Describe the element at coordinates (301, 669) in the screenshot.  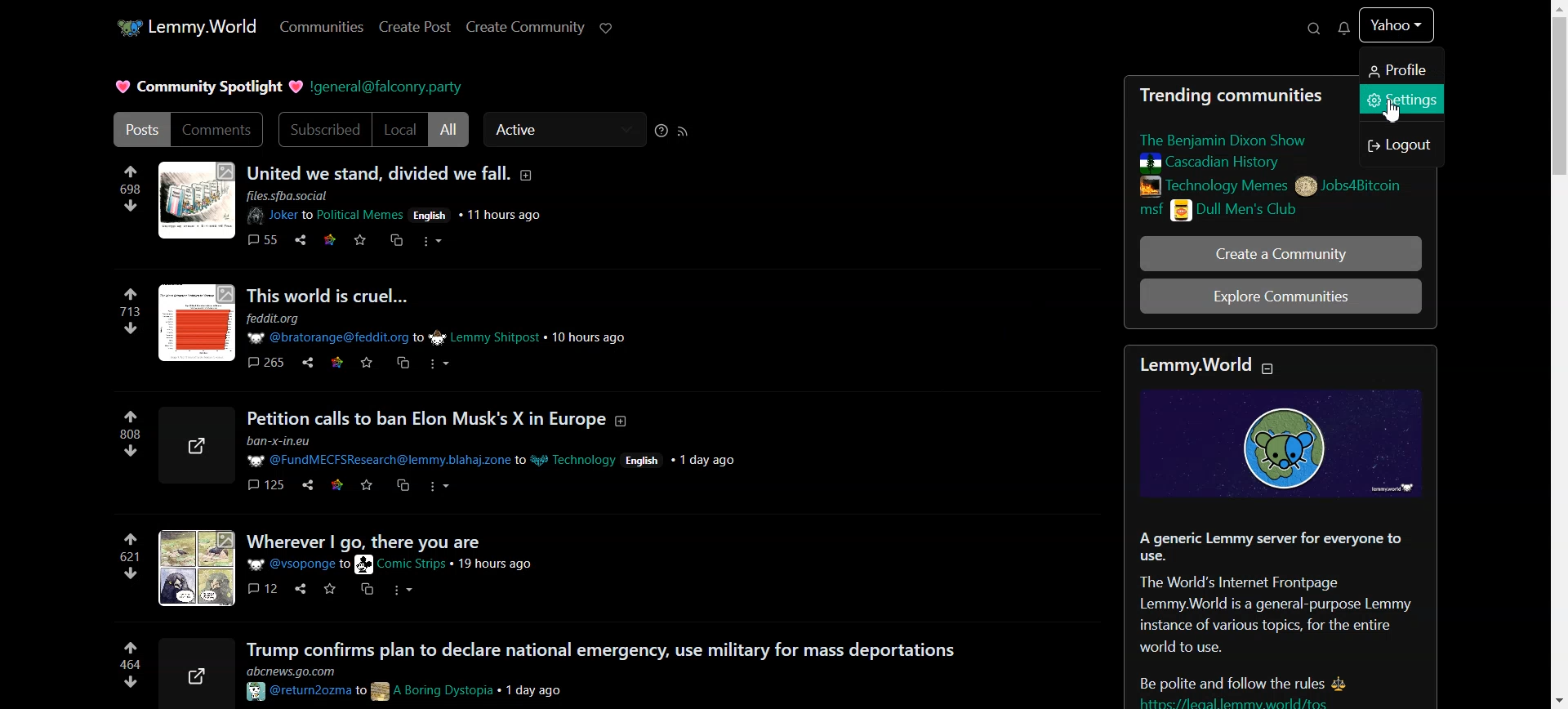
I see `webaddress` at that location.